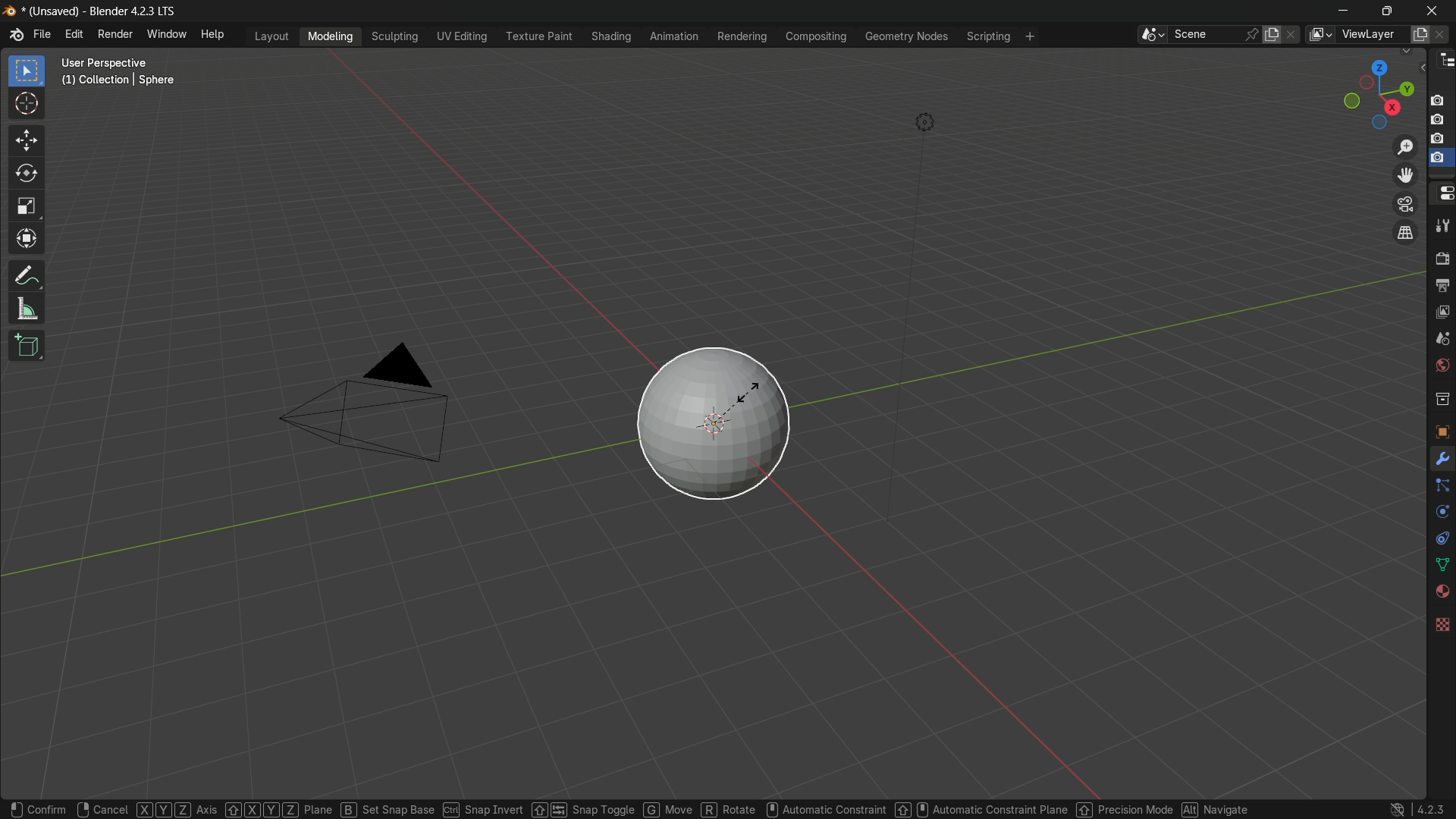 This screenshot has width=1456, height=819. I want to click on rendering menu, so click(743, 36).